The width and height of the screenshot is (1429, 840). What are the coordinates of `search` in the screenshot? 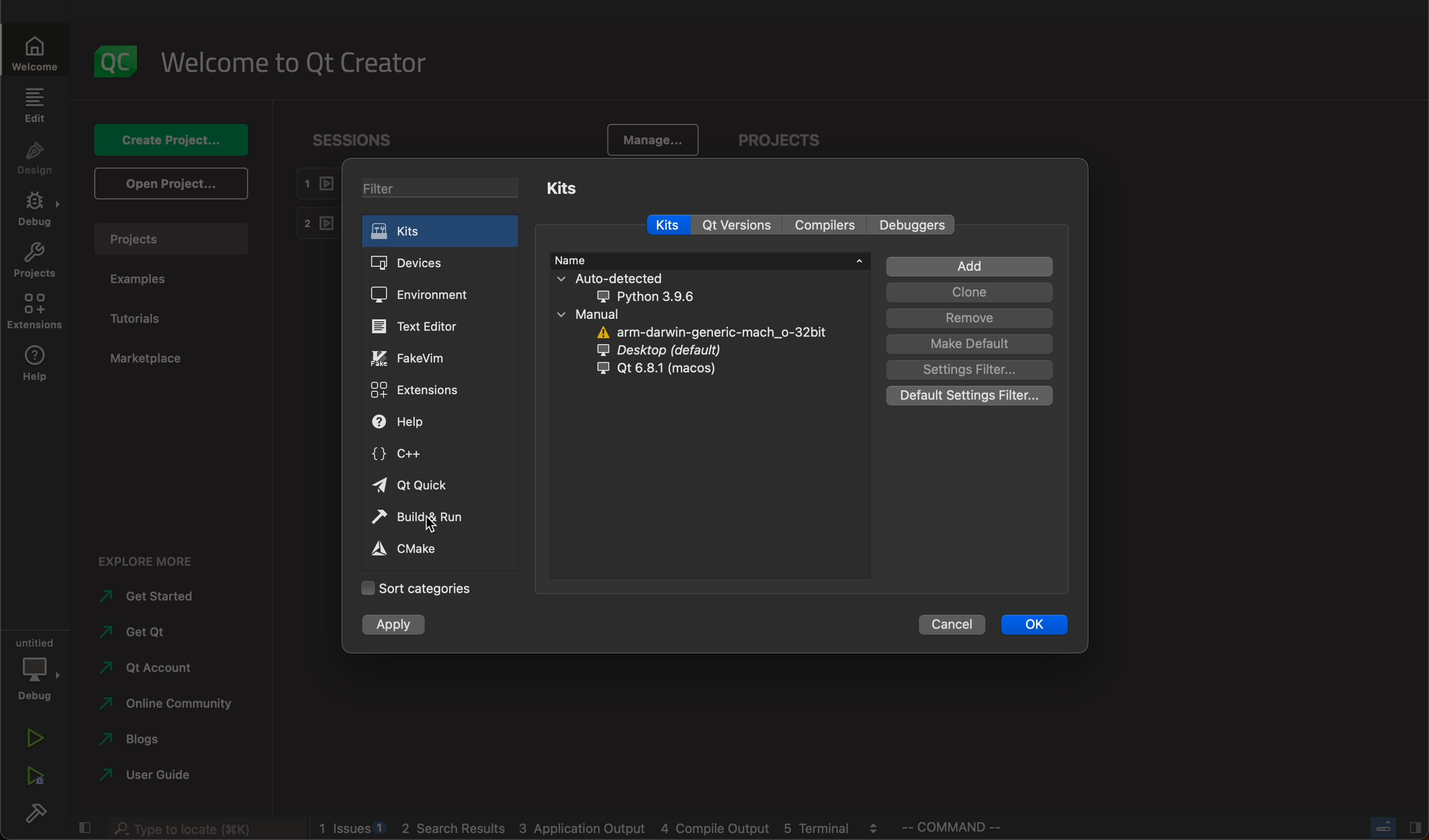 It's located at (209, 829).